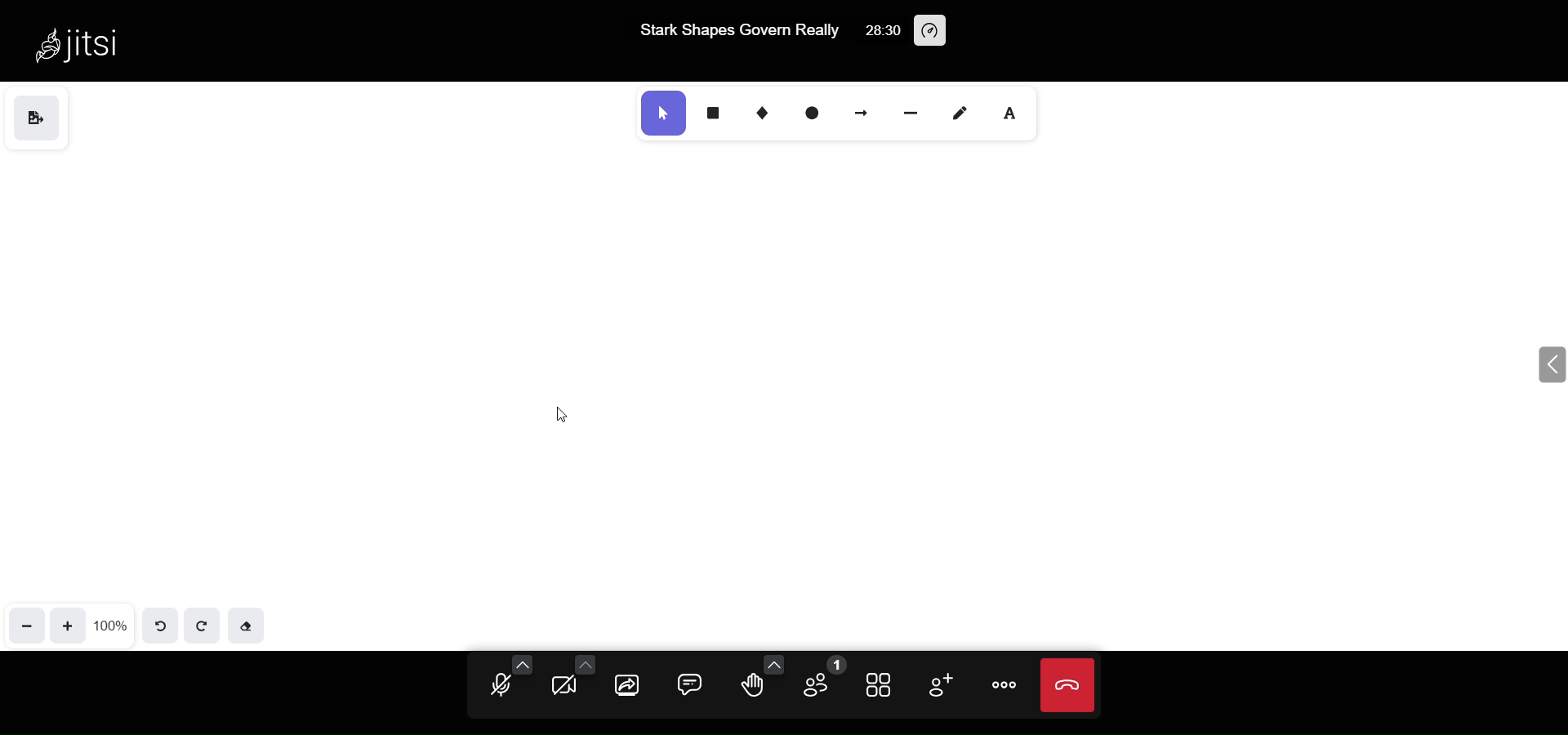 This screenshot has width=1568, height=735. I want to click on arrow, so click(863, 110).